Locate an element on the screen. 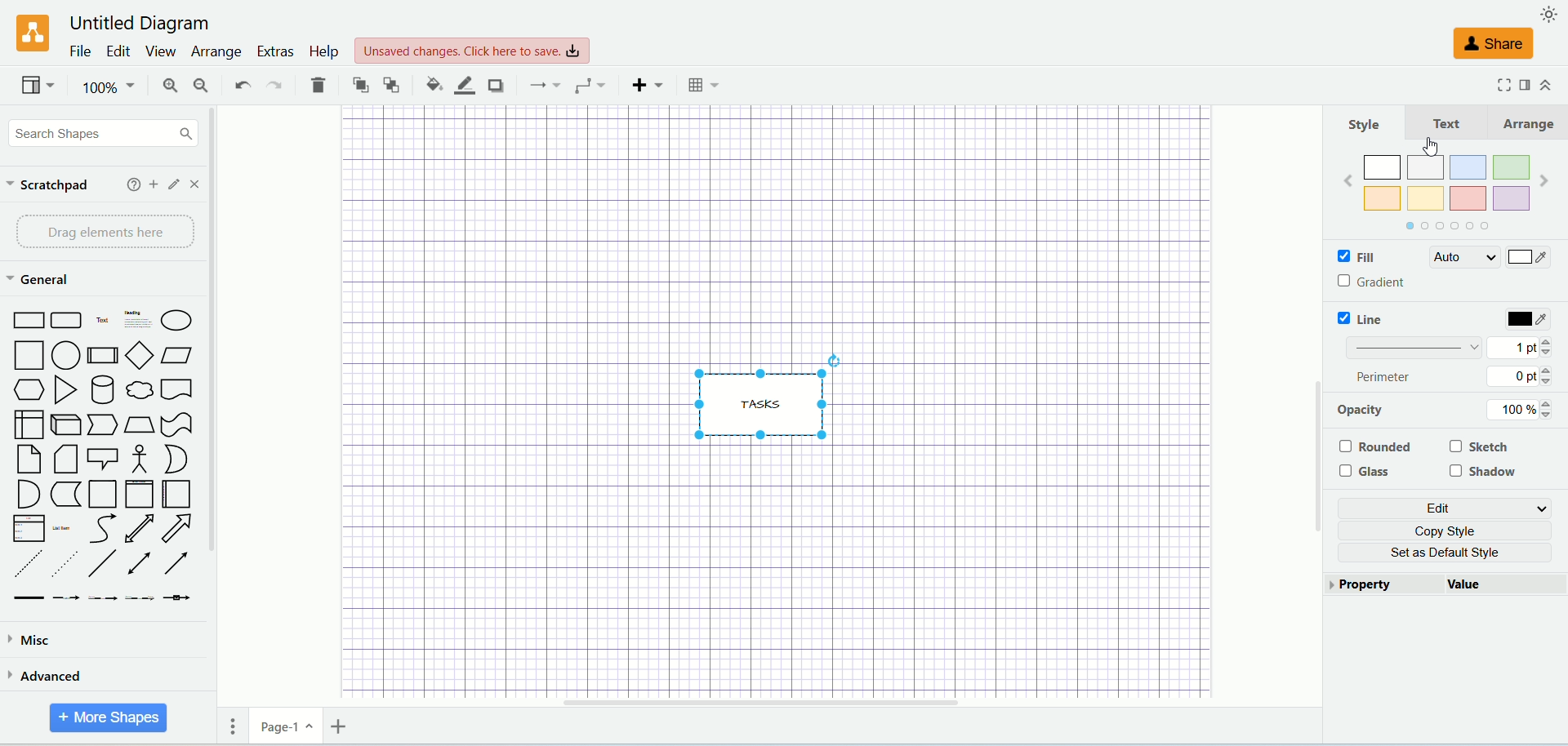 This screenshot has width=1568, height=746. insert page is located at coordinates (337, 726).